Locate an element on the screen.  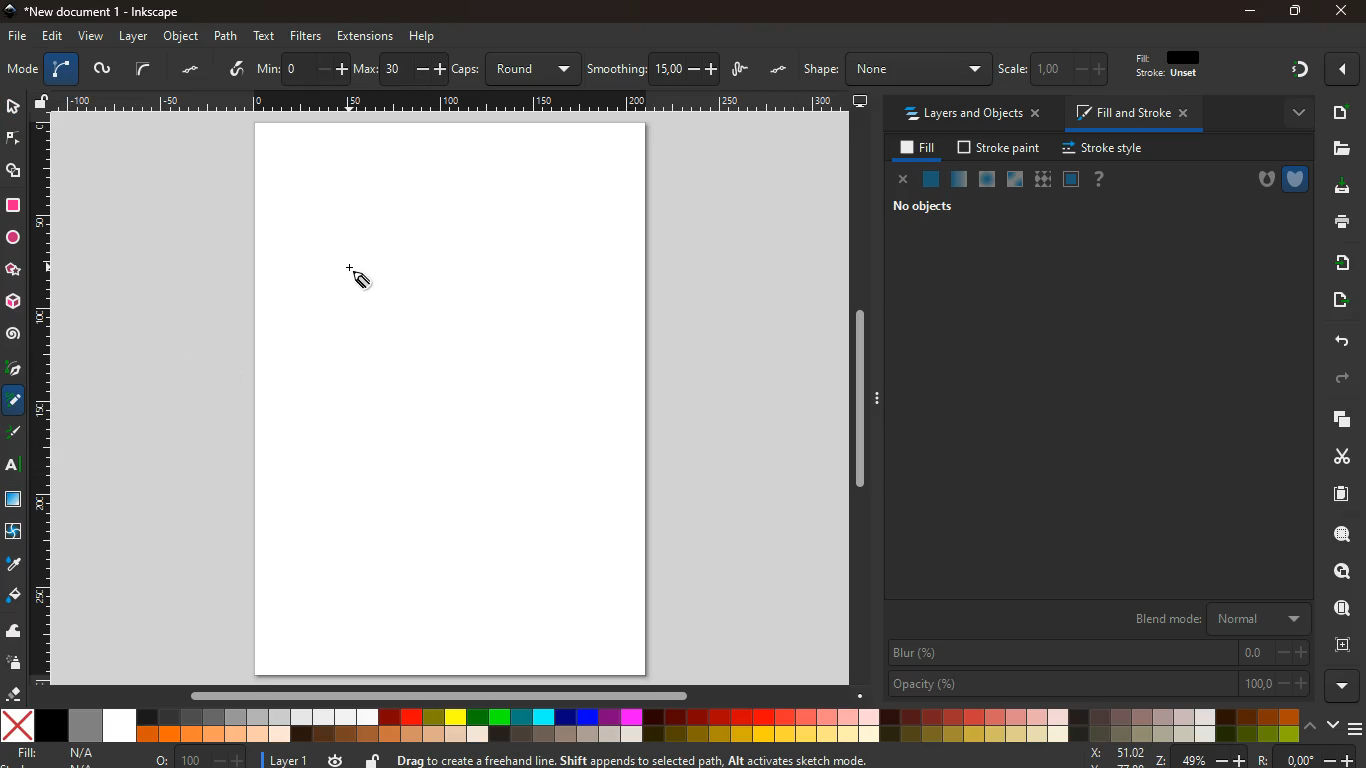
edit is located at coordinates (1019, 69).